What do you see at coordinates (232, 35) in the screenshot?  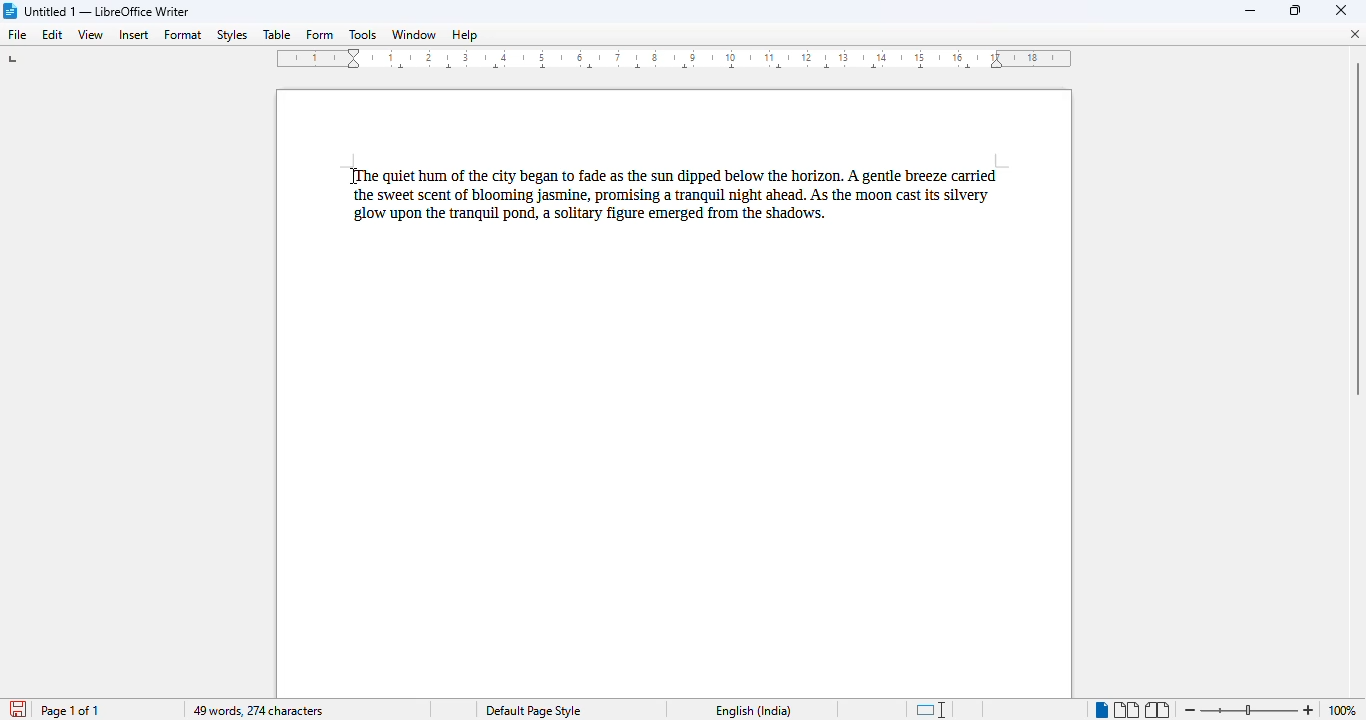 I see `styles` at bounding box center [232, 35].